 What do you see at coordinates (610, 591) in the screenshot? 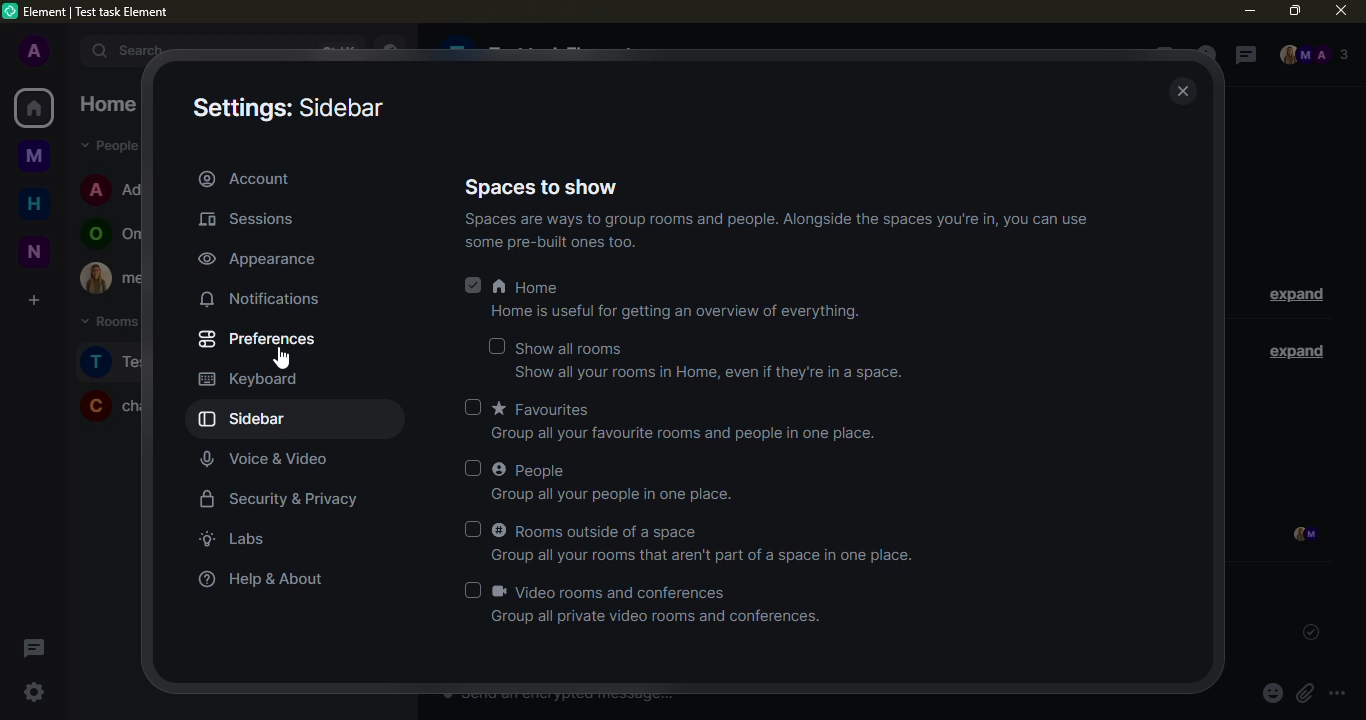
I see `video rooms and conferences` at bounding box center [610, 591].